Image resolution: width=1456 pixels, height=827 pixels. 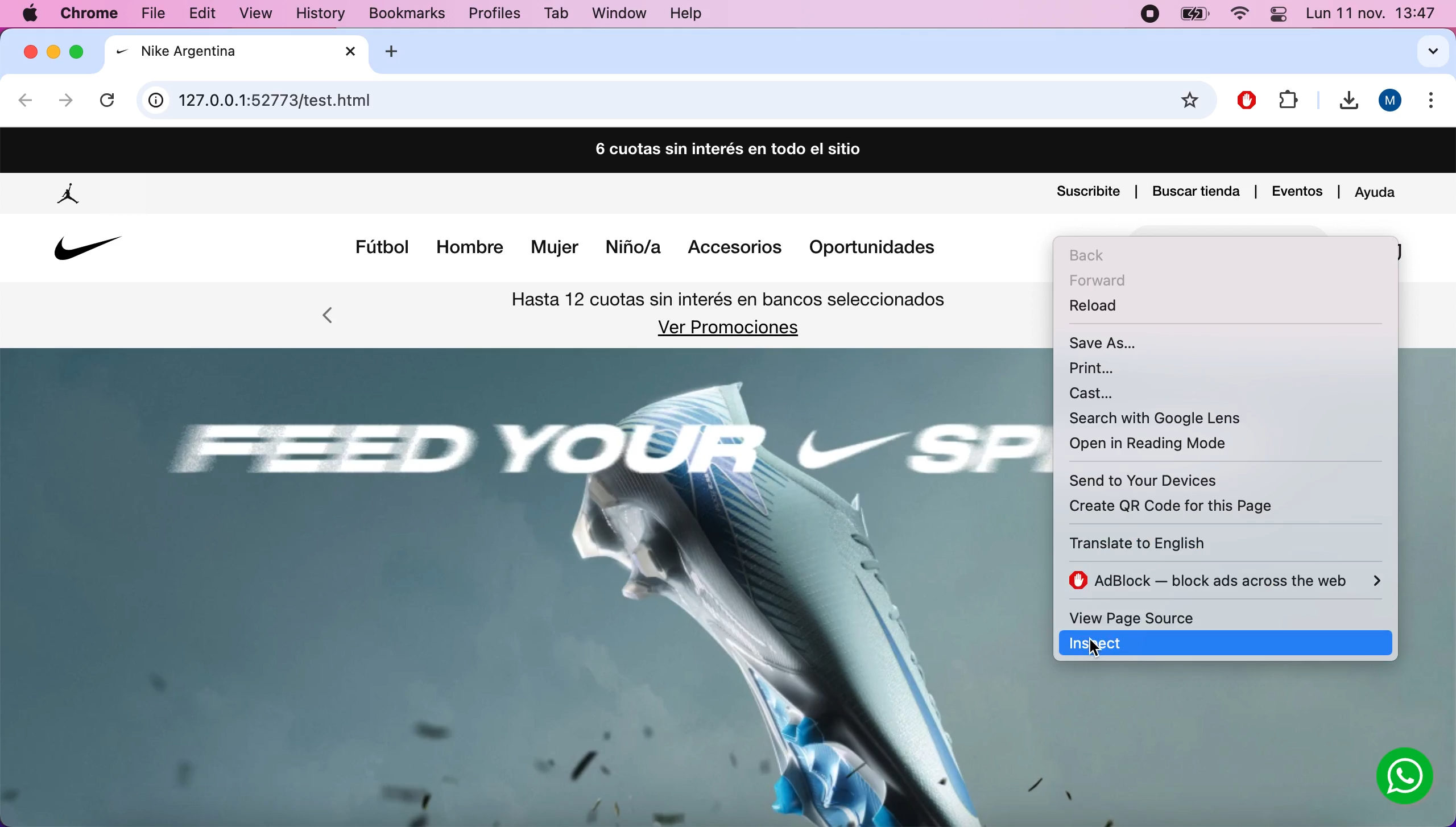 I want to click on Website Menu, so click(x=647, y=250).